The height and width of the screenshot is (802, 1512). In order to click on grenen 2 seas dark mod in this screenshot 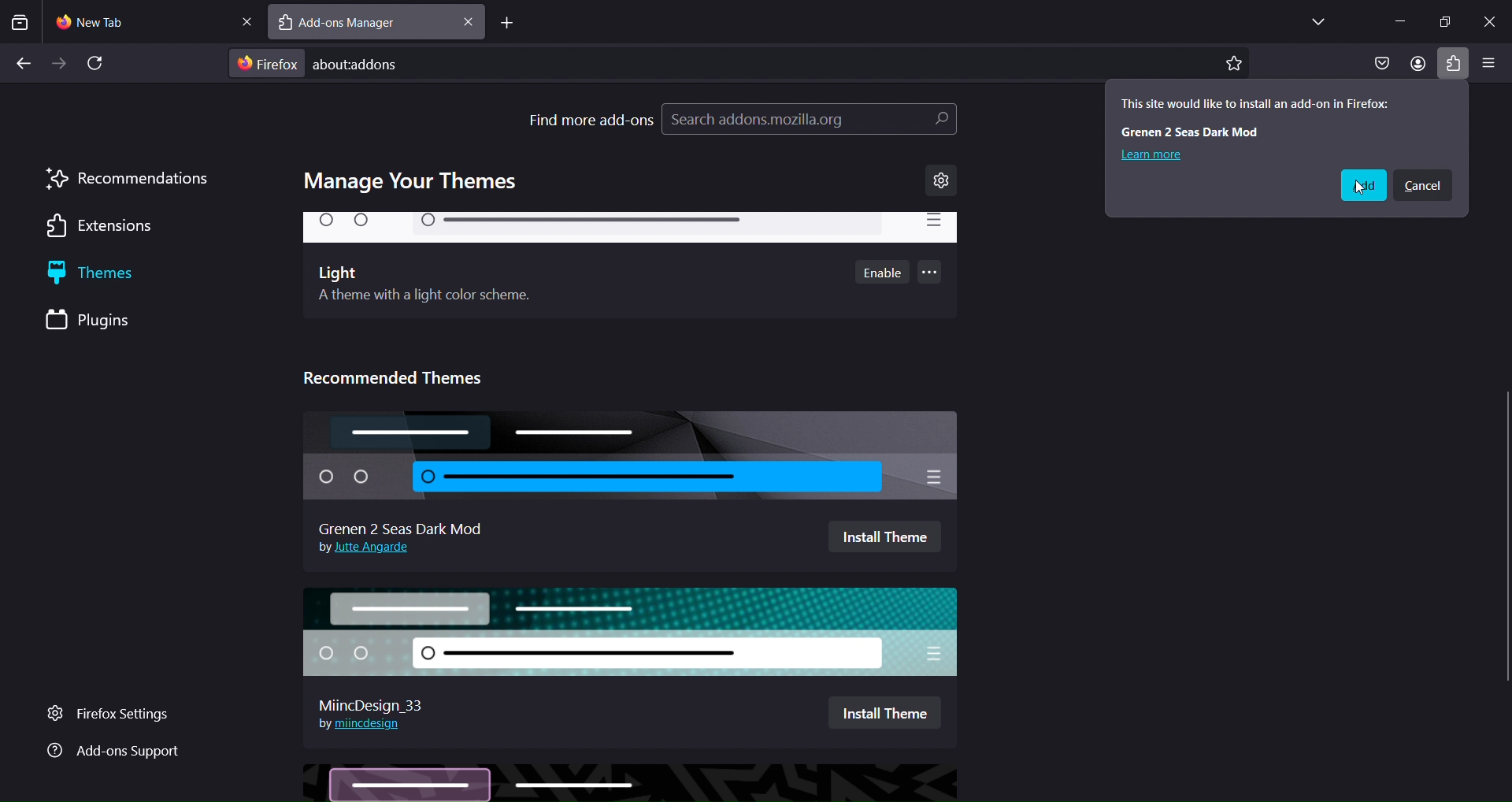, I will do `click(629, 457)`.